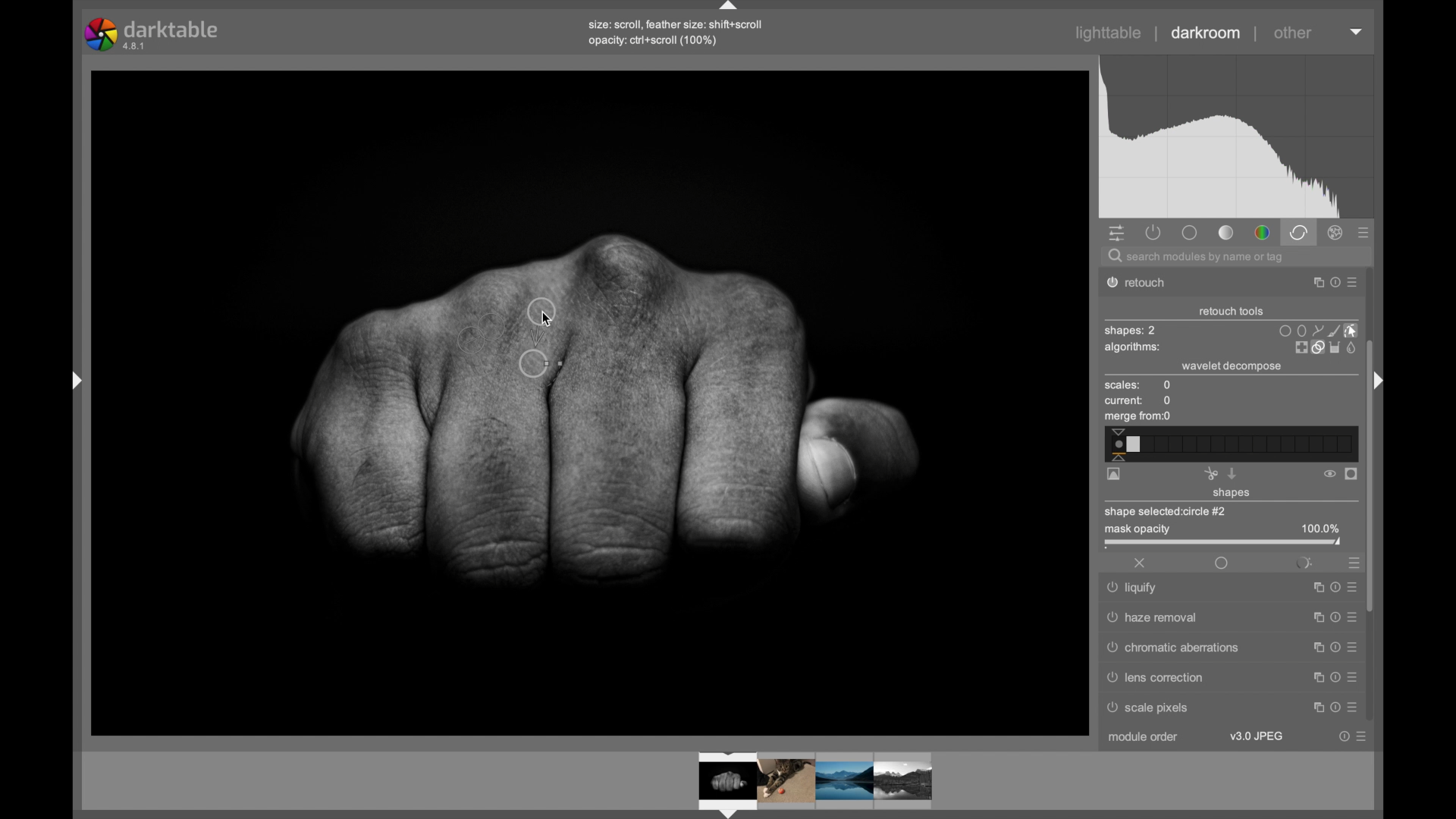 The image size is (1456, 819). What do you see at coordinates (1314, 676) in the screenshot?
I see `maximize` at bounding box center [1314, 676].